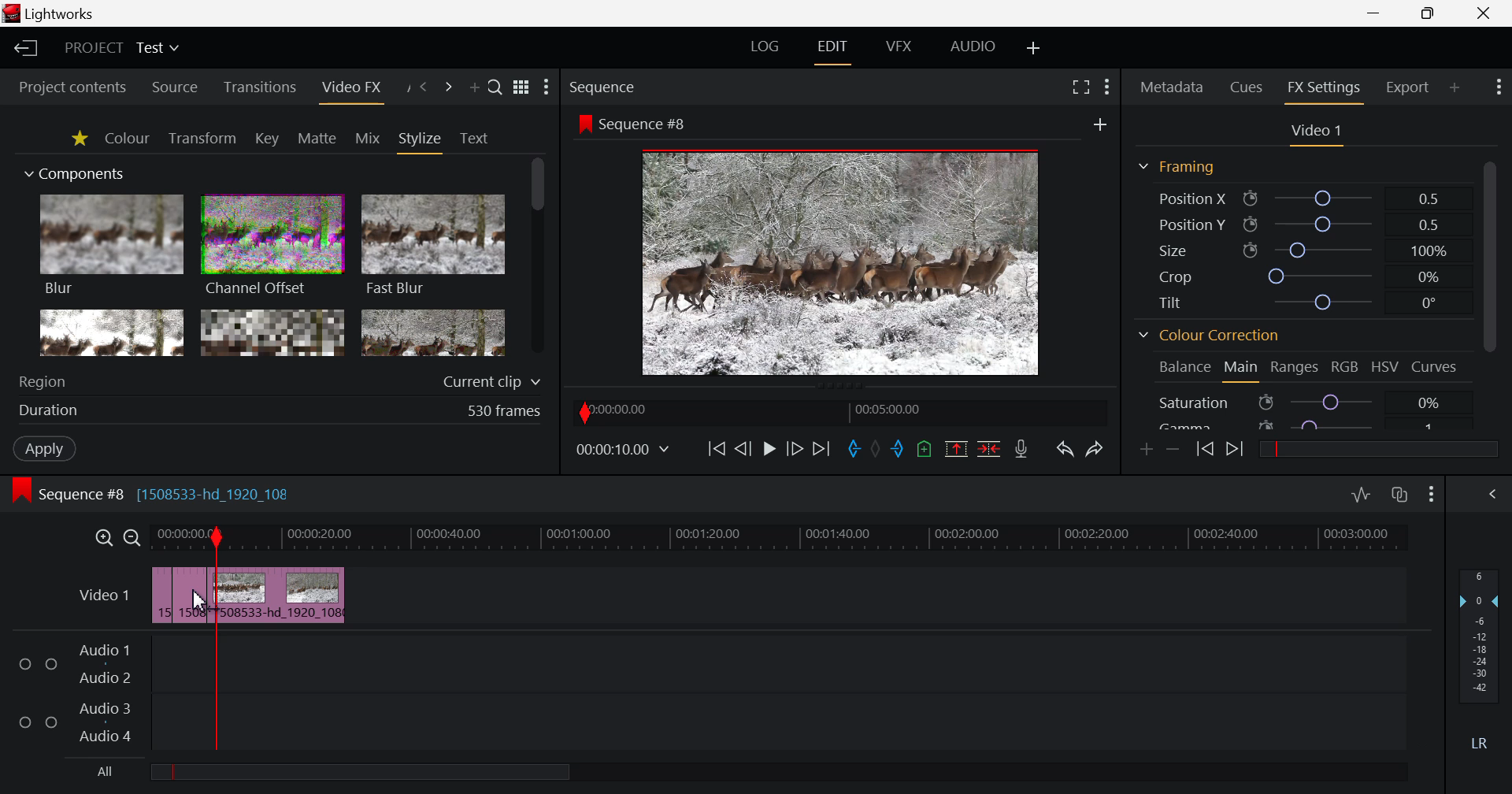  What do you see at coordinates (176, 87) in the screenshot?
I see `Source` at bounding box center [176, 87].